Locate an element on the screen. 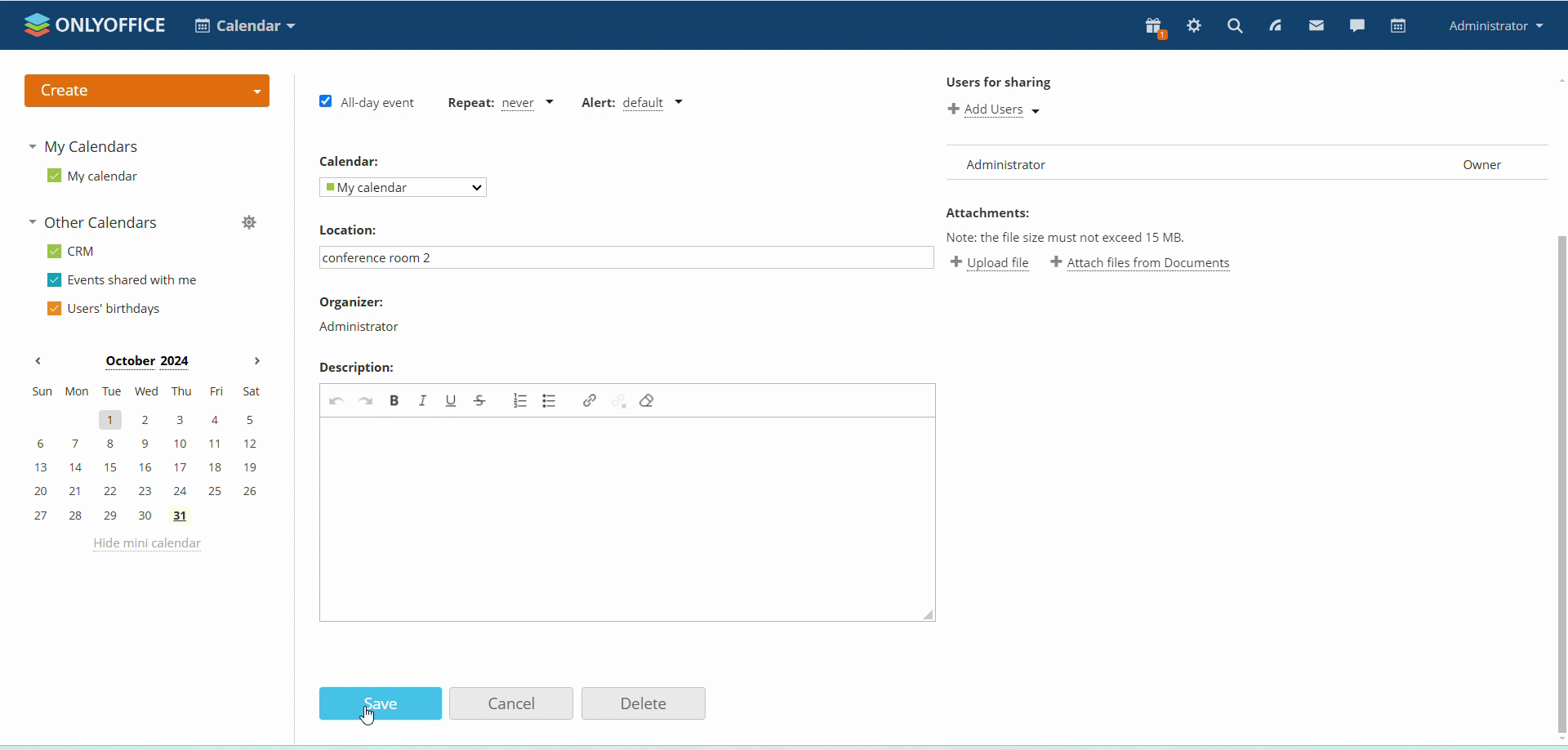 The height and width of the screenshot is (750, 1568). events shared with me is located at coordinates (126, 281).